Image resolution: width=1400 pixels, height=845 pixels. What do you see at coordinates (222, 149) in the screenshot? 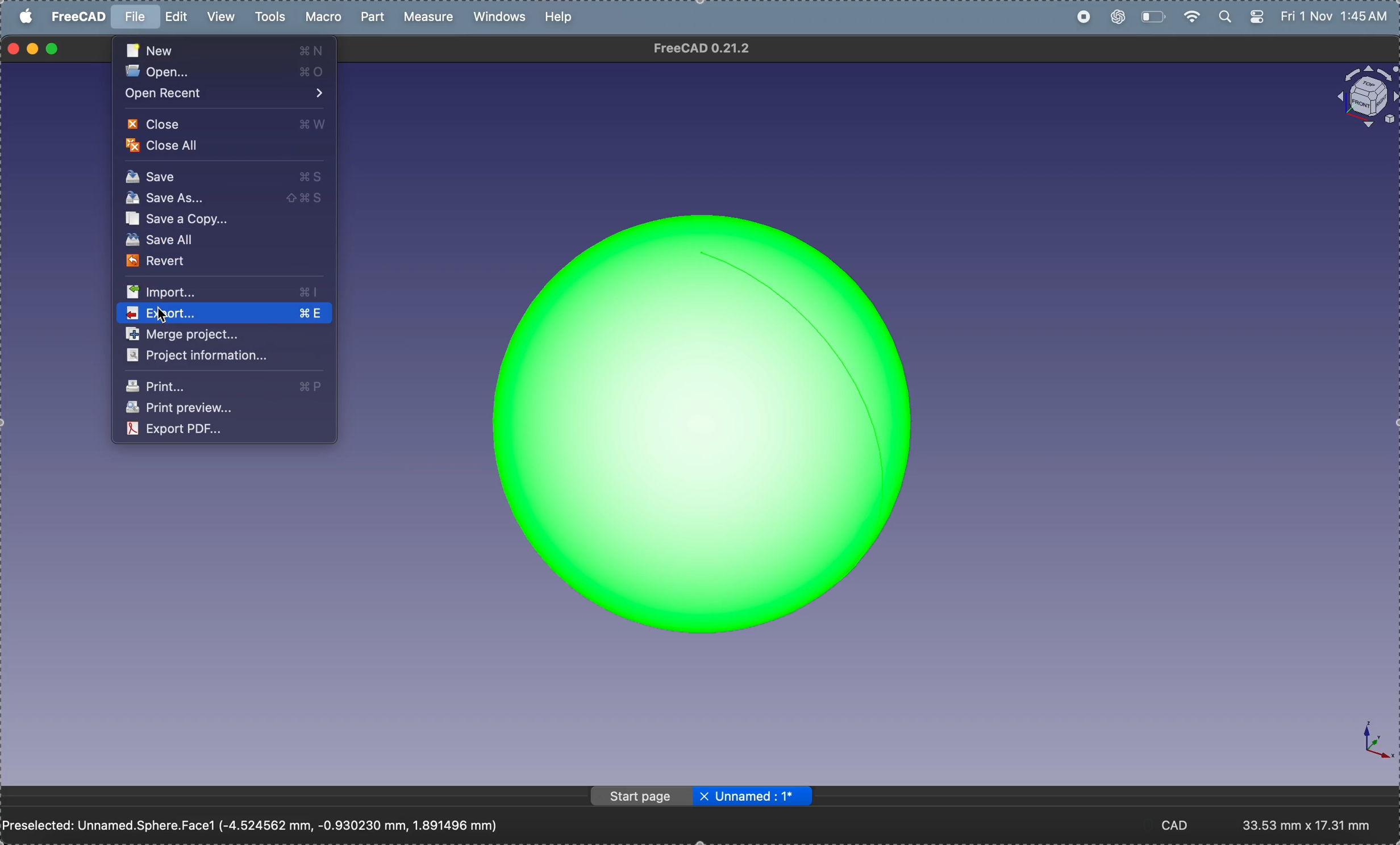
I see `close all` at bounding box center [222, 149].